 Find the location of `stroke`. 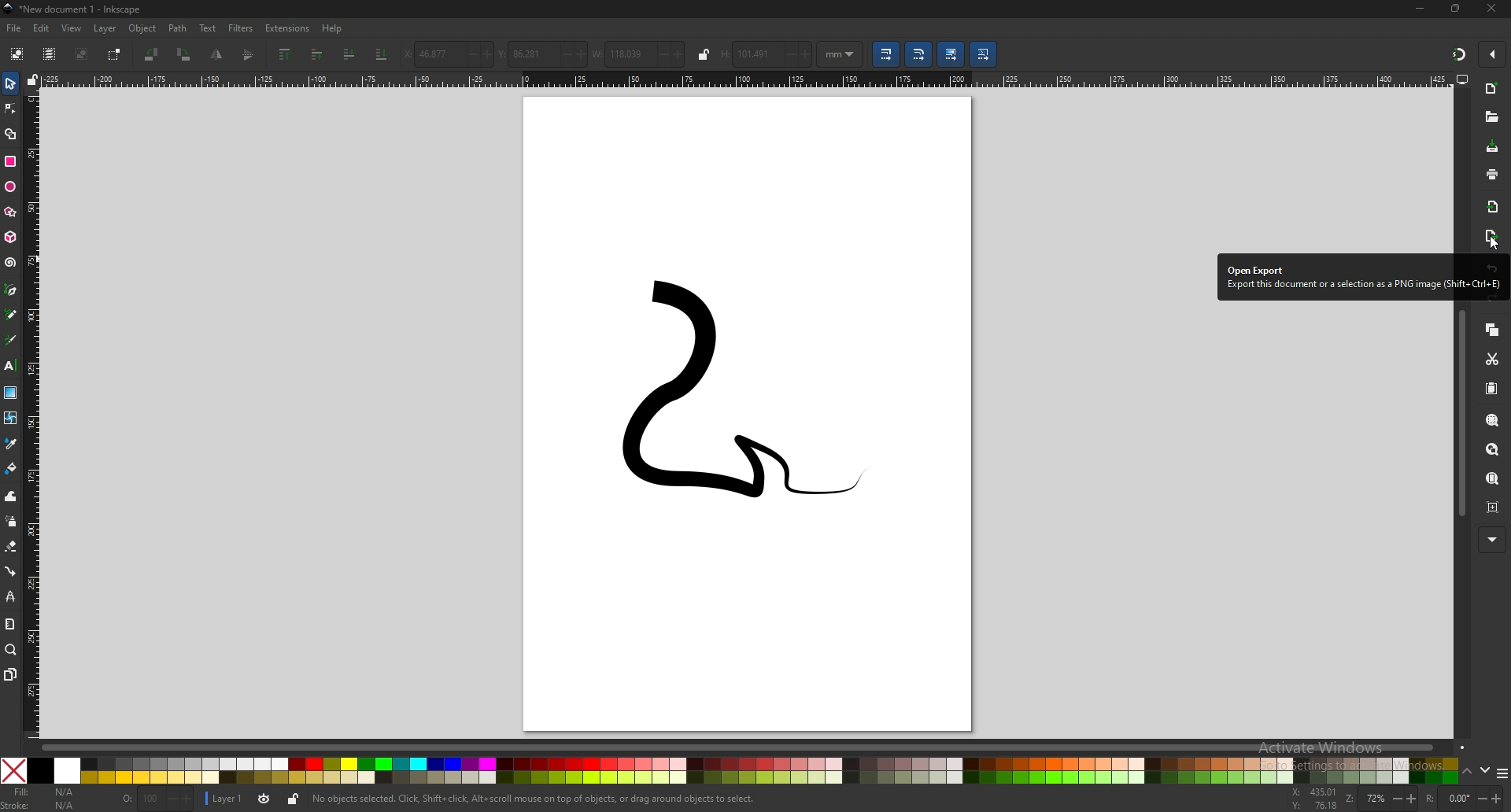

stroke is located at coordinates (39, 806).